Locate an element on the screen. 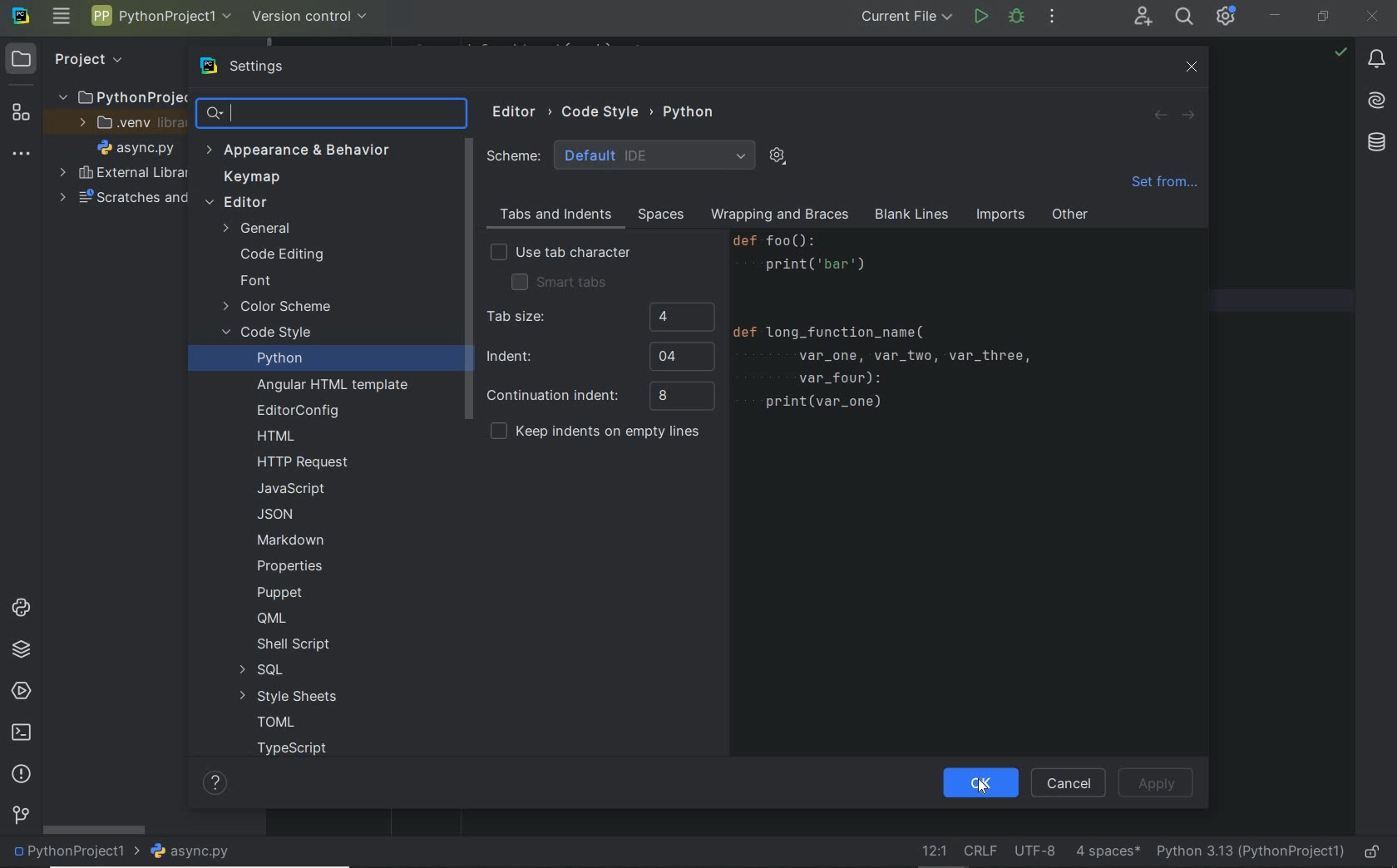 The image size is (1397, 868). PUPPET is located at coordinates (283, 592).